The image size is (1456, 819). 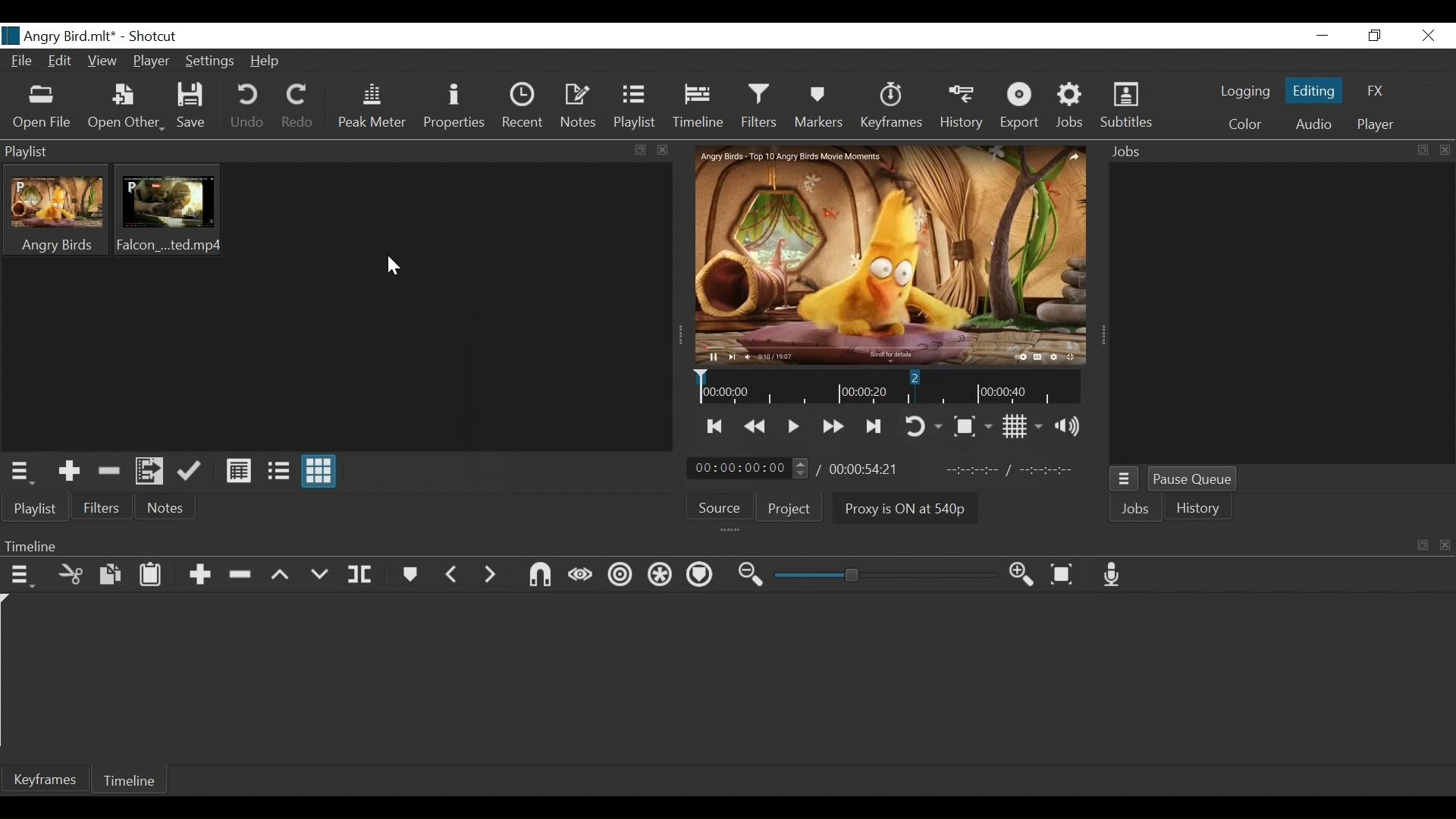 I want to click on Copy, so click(x=108, y=574).